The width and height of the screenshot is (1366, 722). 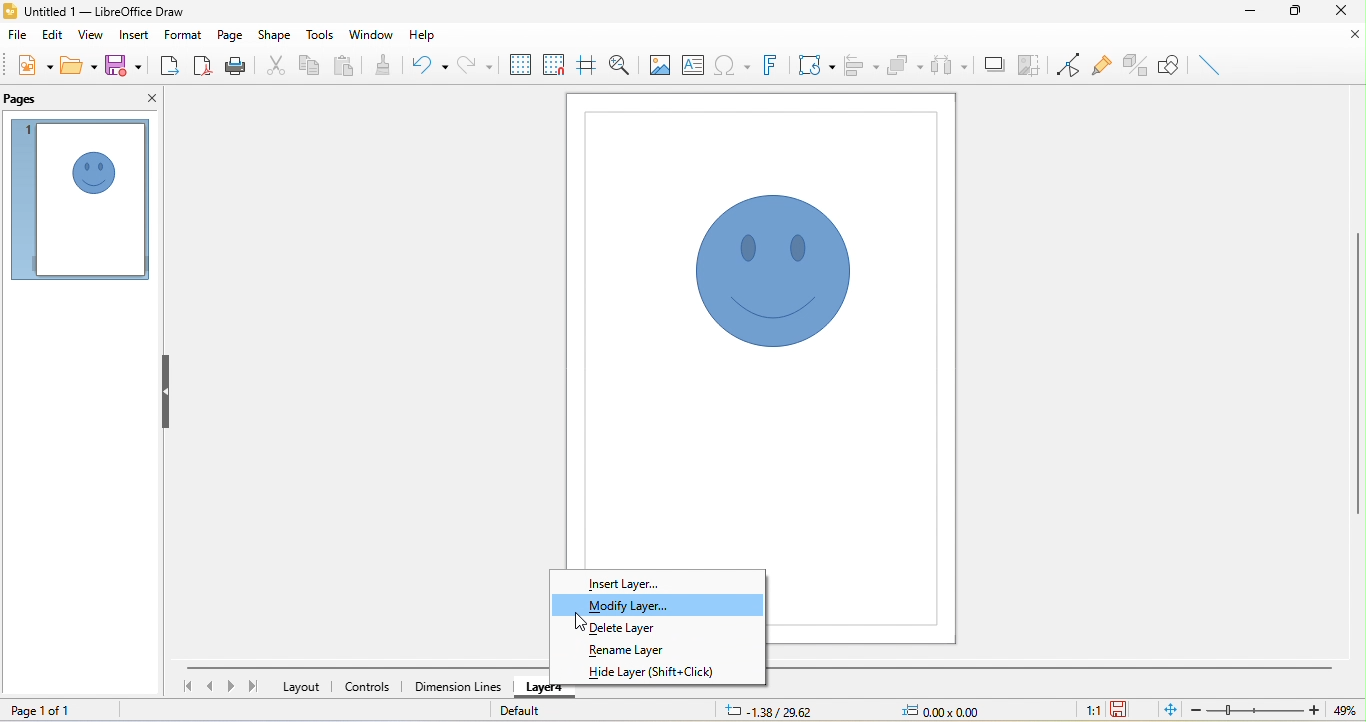 I want to click on paste, so click(x=346, y=67).